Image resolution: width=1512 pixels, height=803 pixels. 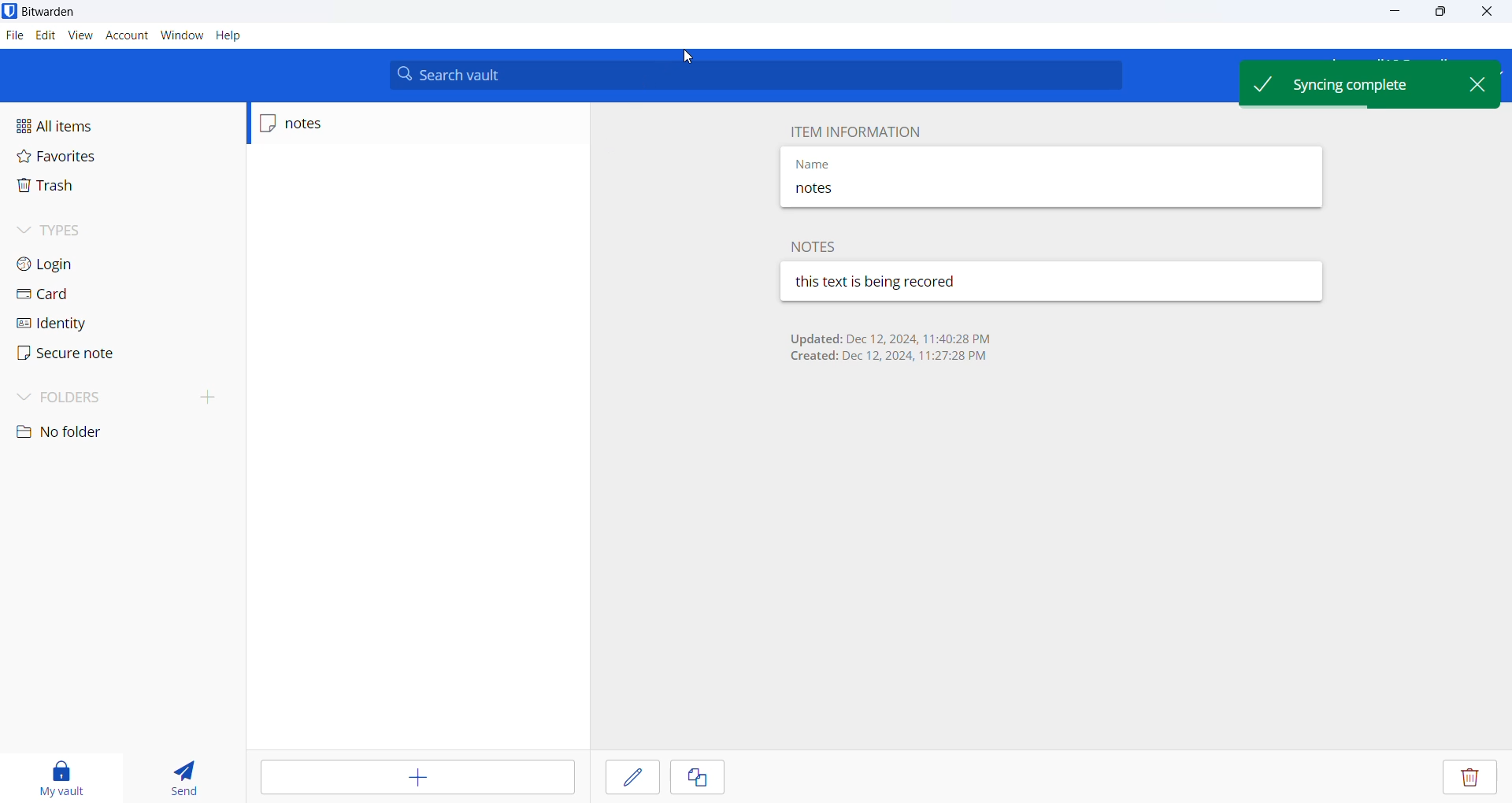 What do you see at coordinates (853, 130) in the screenshot?
I see `Item information` at bounding box center [853, 130].